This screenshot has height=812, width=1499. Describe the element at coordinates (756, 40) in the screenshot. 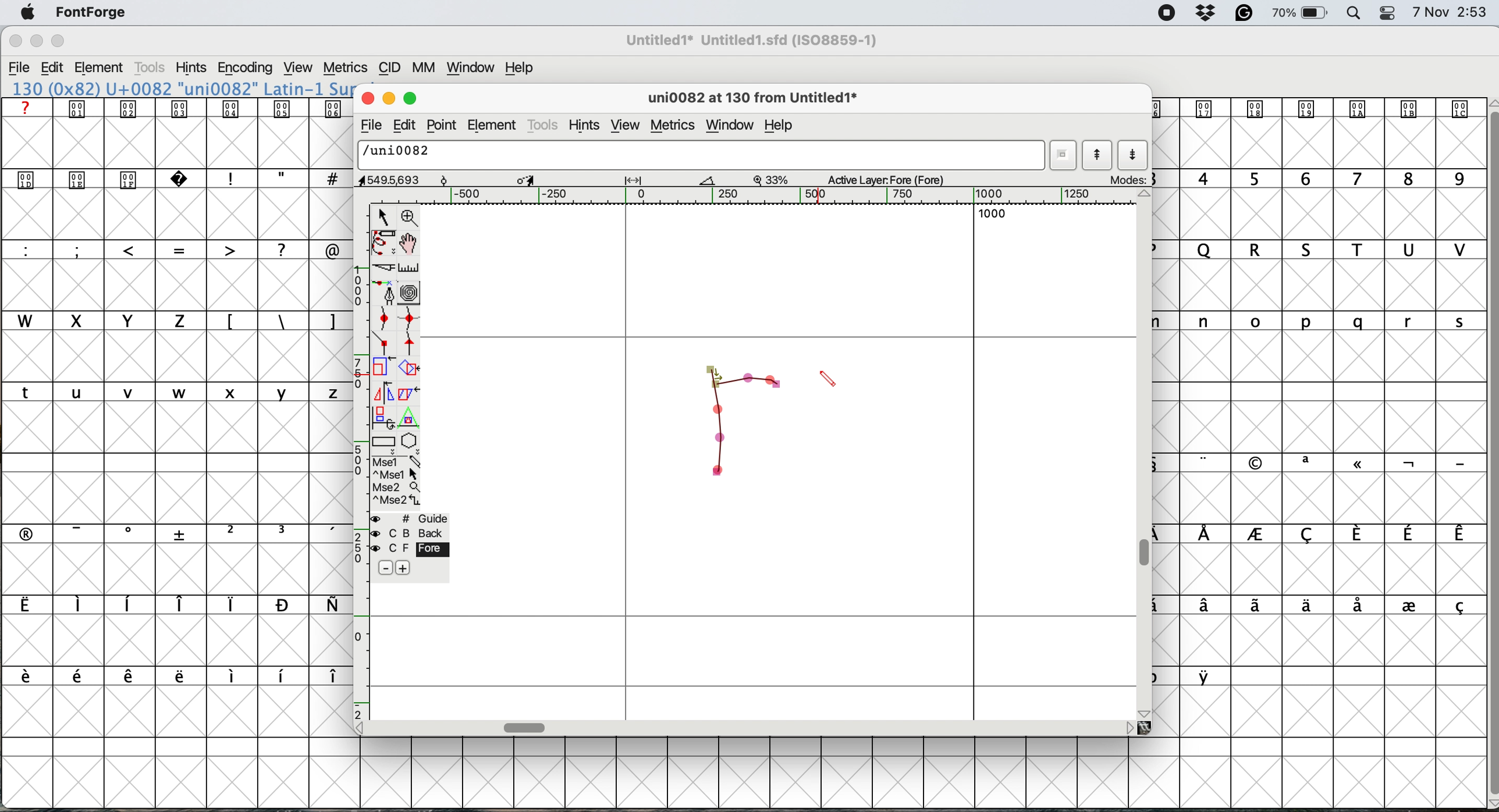

I see `font name` at that location.